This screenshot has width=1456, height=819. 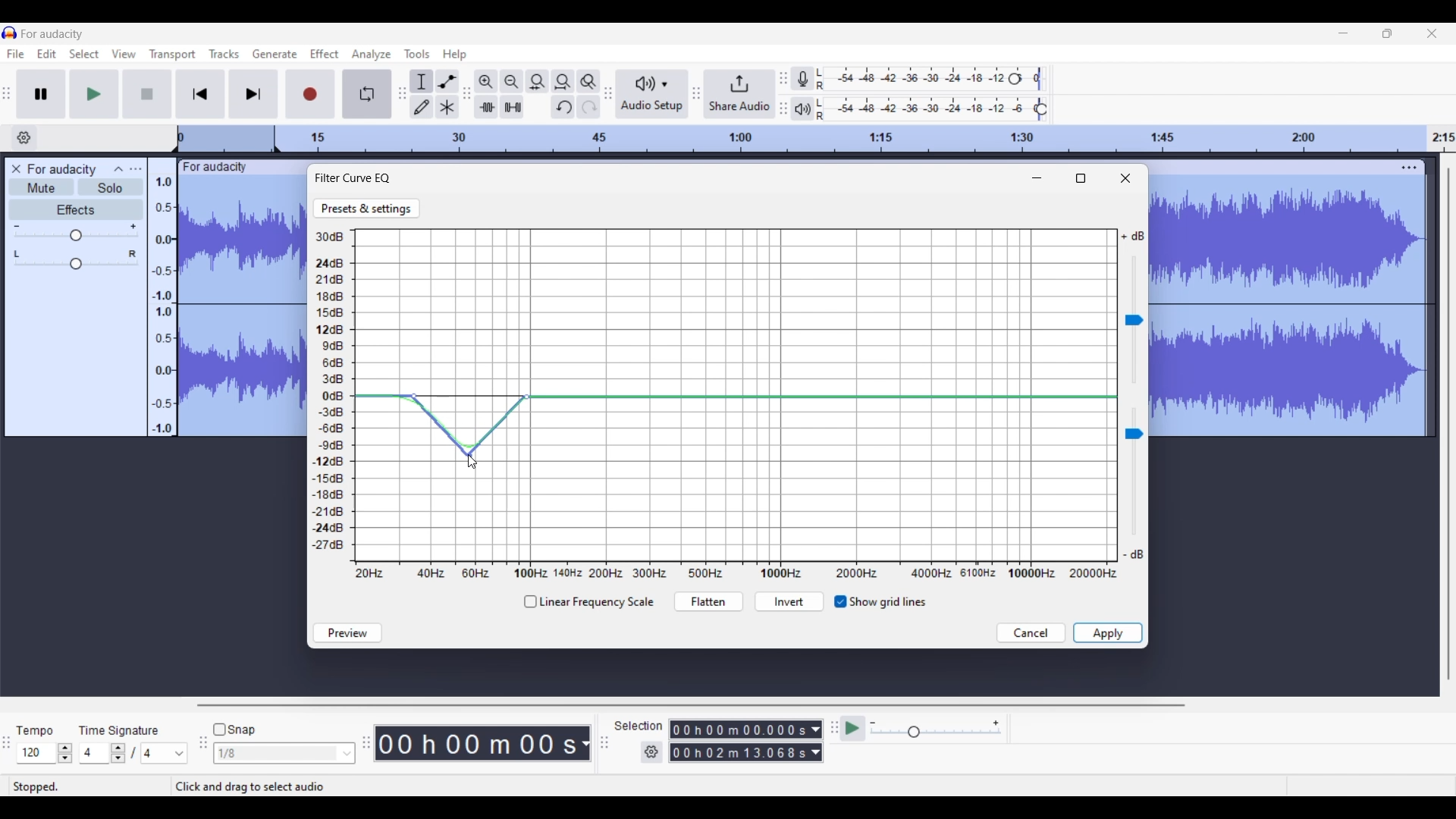 What do you see at coordinates (348, 754) in the screenshot?
I see `Snap option` at bounding box center [348, 754].